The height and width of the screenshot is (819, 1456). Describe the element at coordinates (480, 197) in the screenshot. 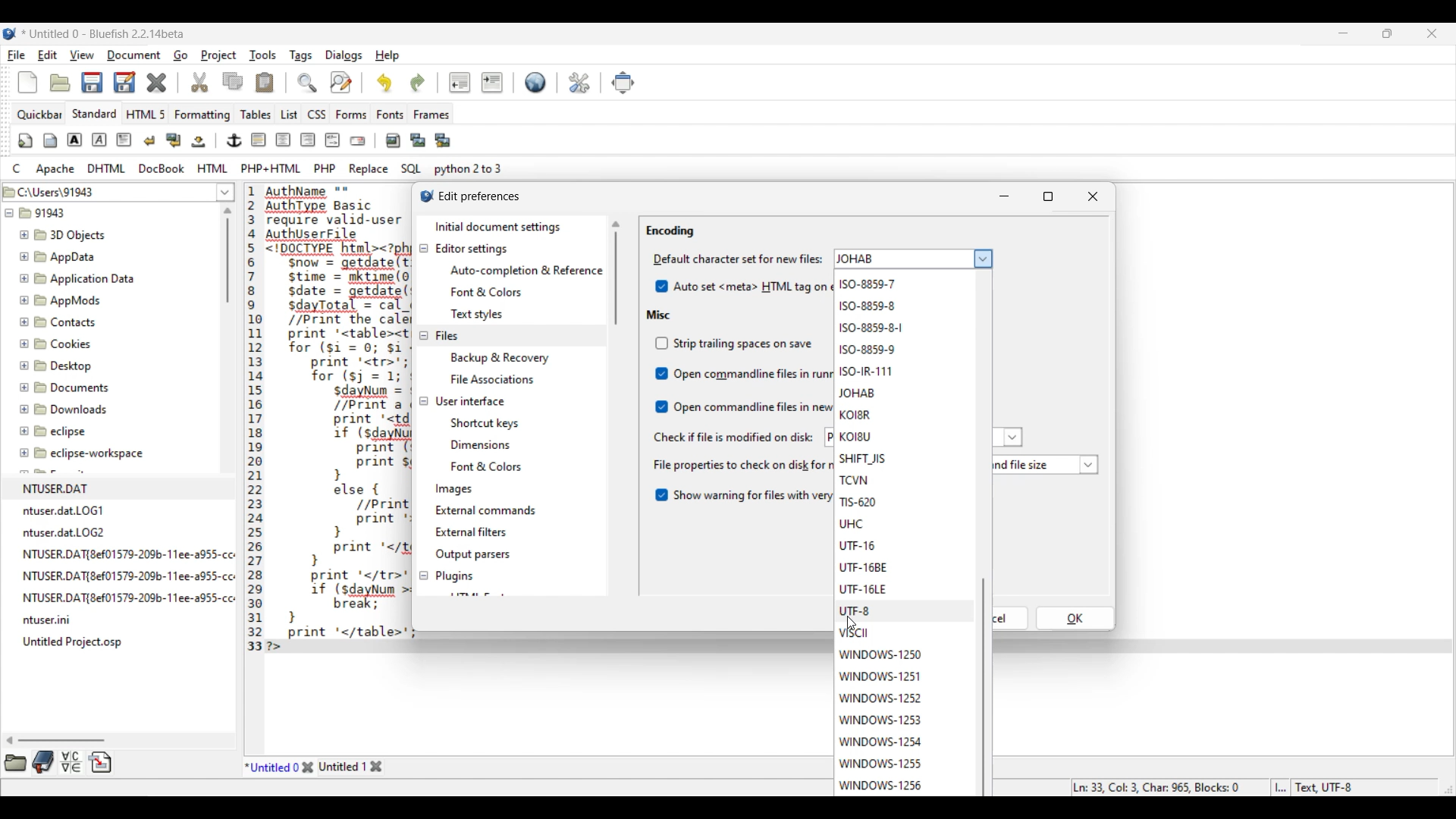

I see `Window title` at that location.